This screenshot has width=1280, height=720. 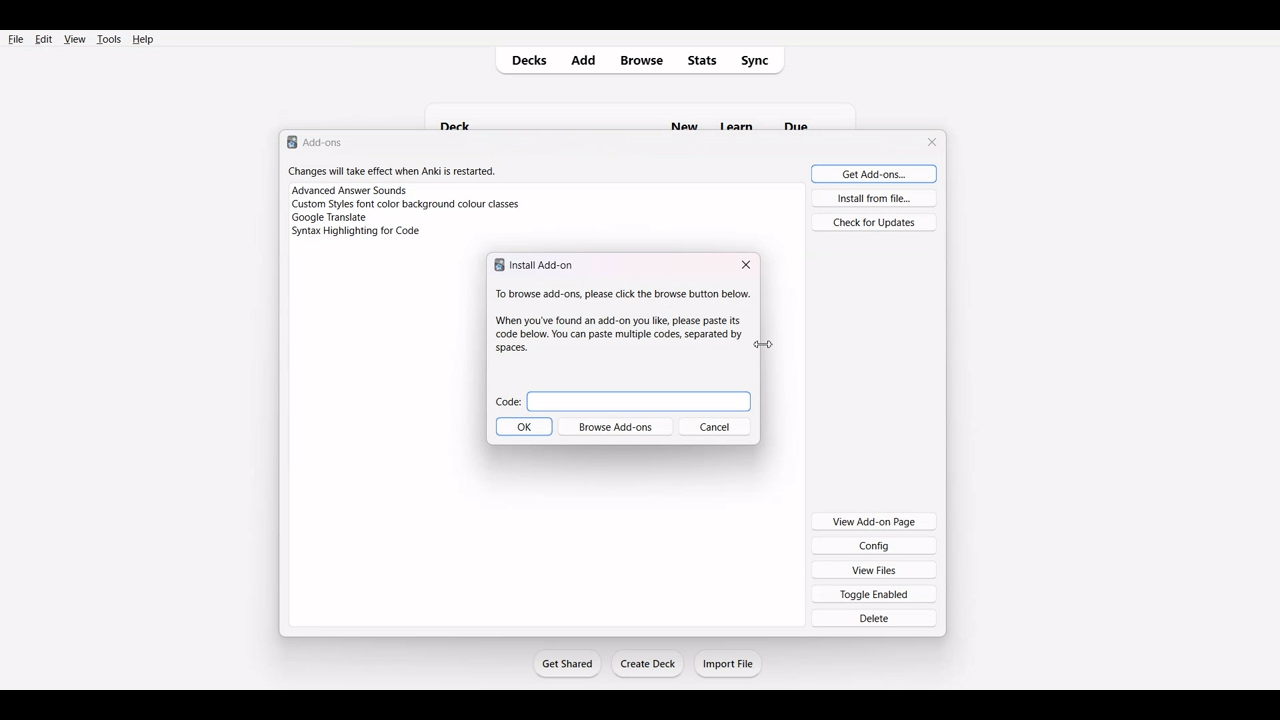 What do you see at coordinates (934, 142) in the screenshot?
I see `Close` at bounding box center [934, 142].